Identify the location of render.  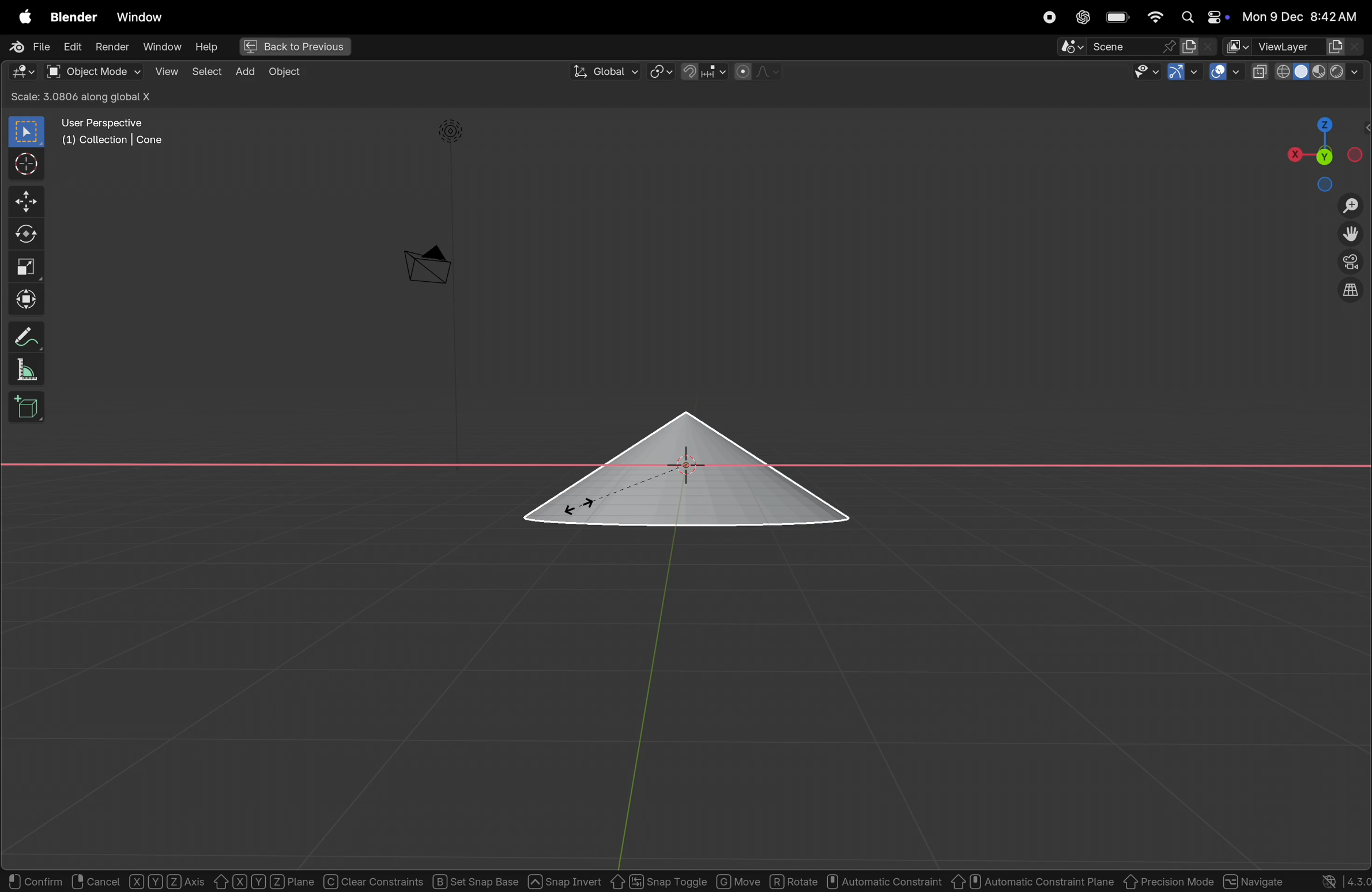
(111, 47).